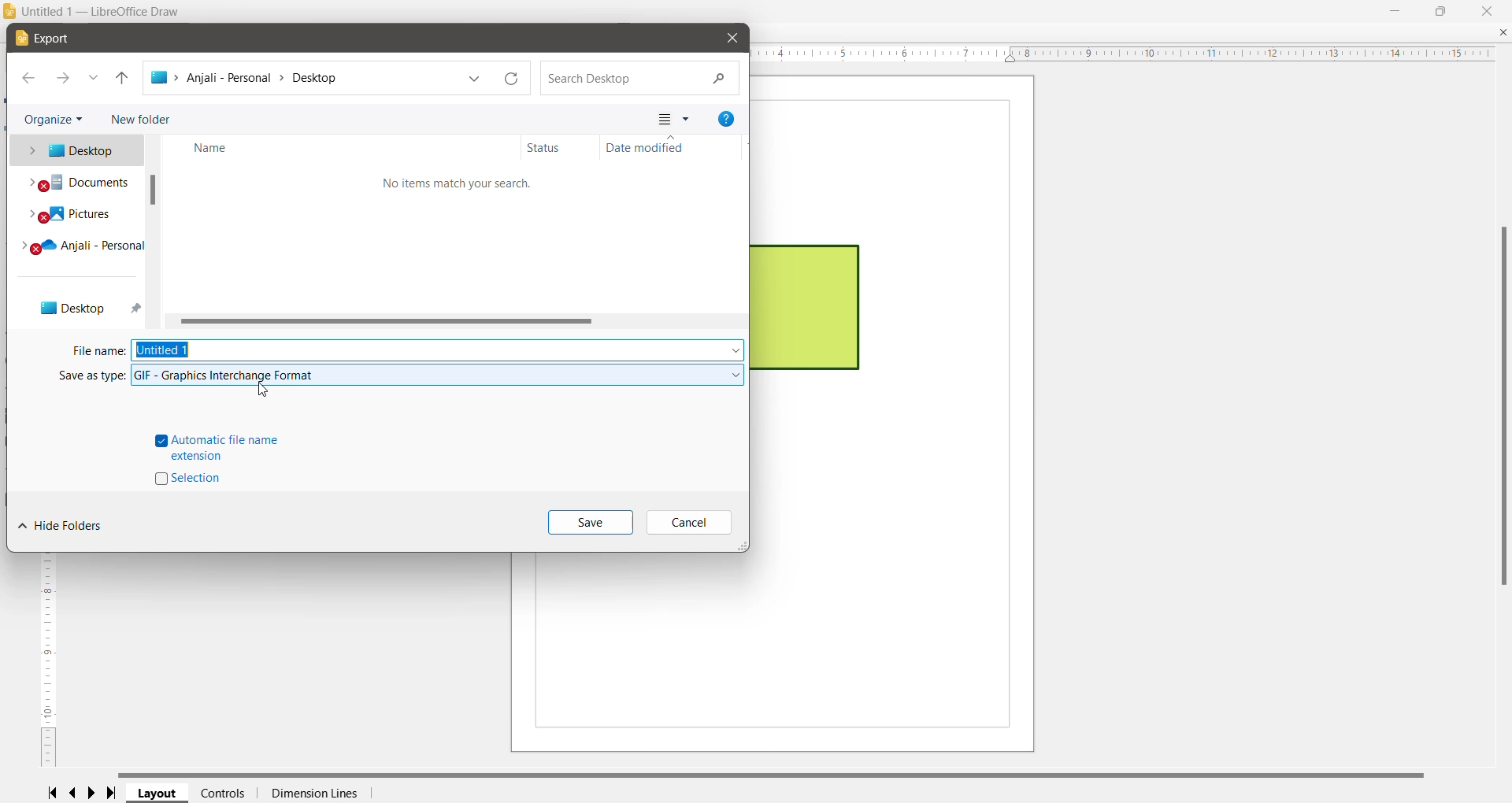  What do you see at coordinates (218, 447) in the screenshot?
I see `Automatic file name extension - click to enable/disable` at bounding box center [218, 447].